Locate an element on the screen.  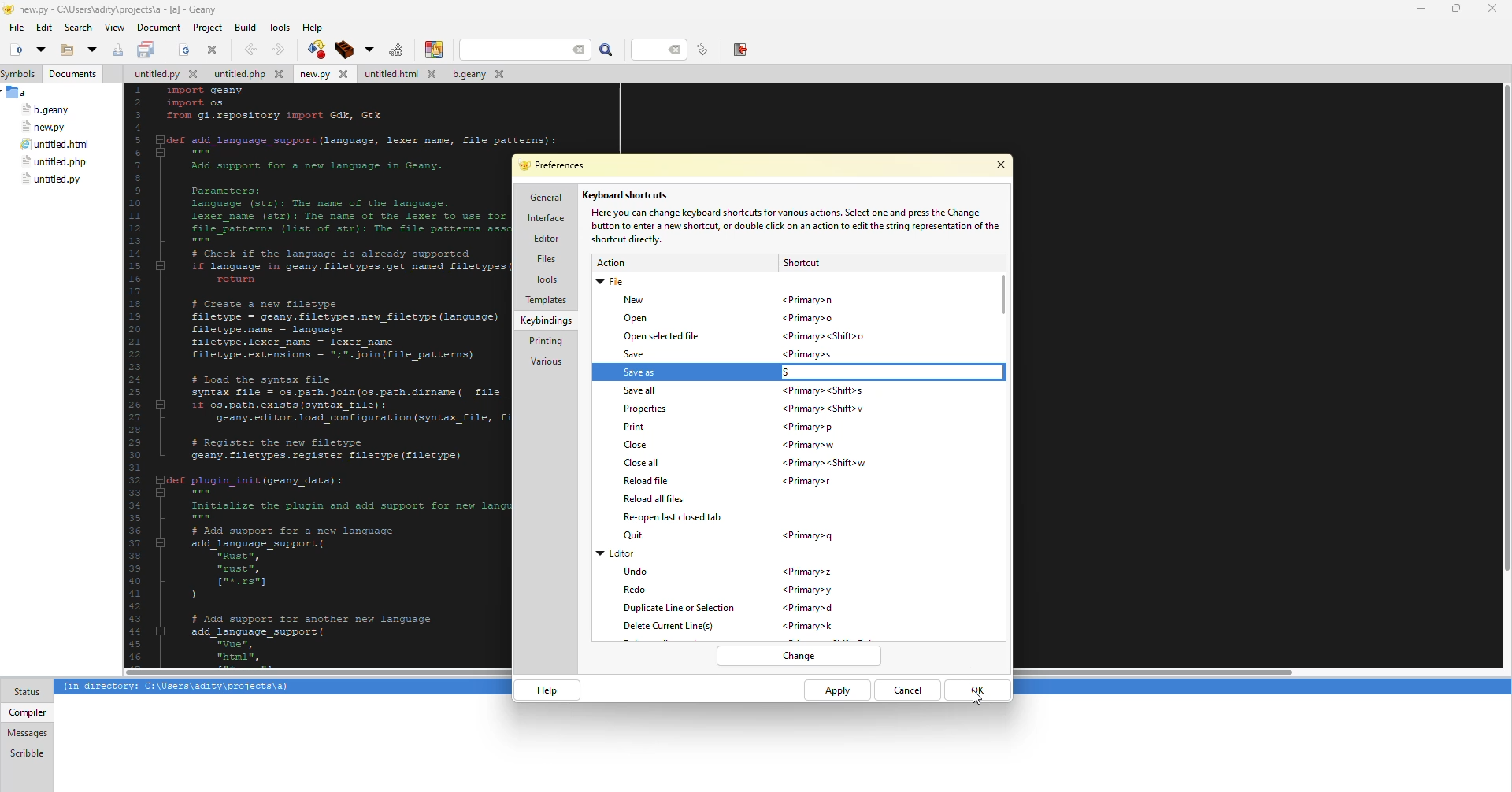
general is located at coordinates (544, 198).